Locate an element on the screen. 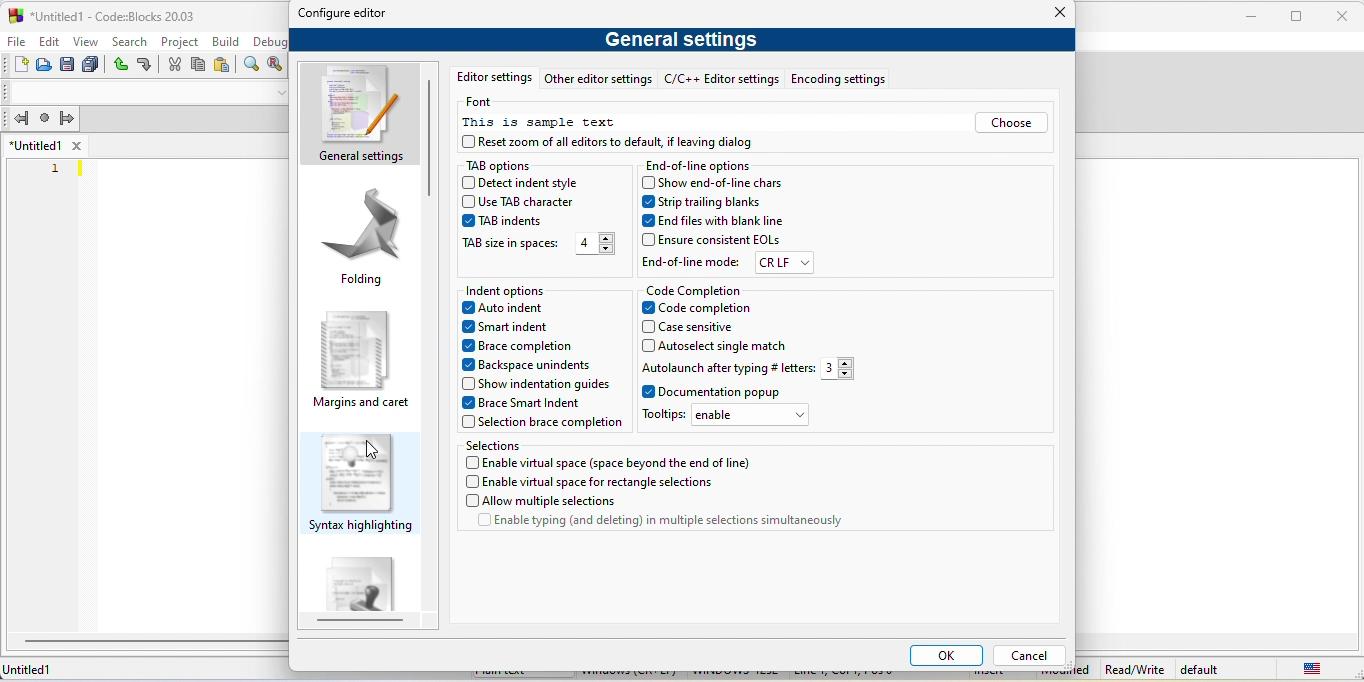 The image size is (1364, 682). tab indent is located at coordinates (503, 221).